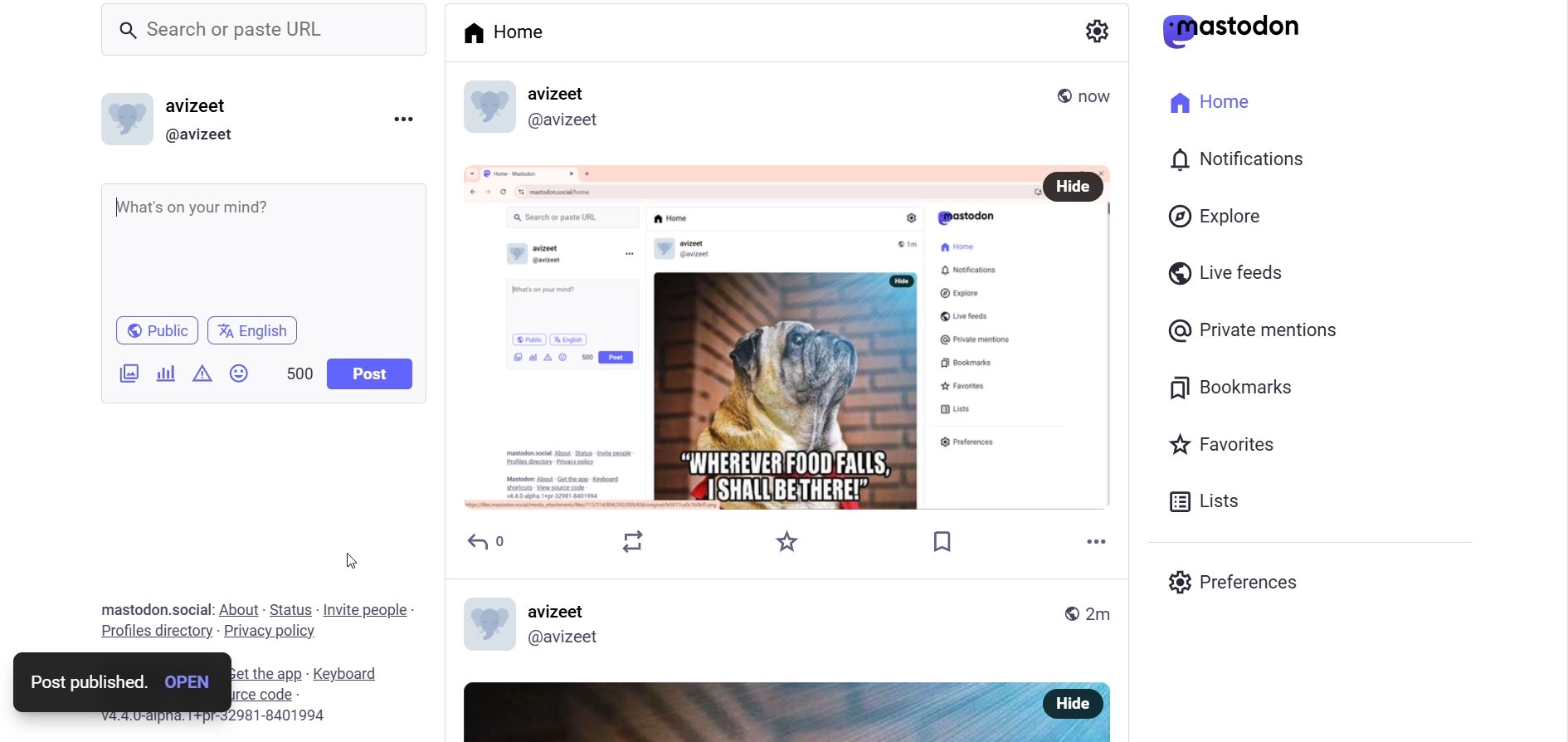 This screenshot has width=1568, height=742. Describe the element at coordinates (745, 335) in the screenshot. I see `Screenshot Shared` at that location.